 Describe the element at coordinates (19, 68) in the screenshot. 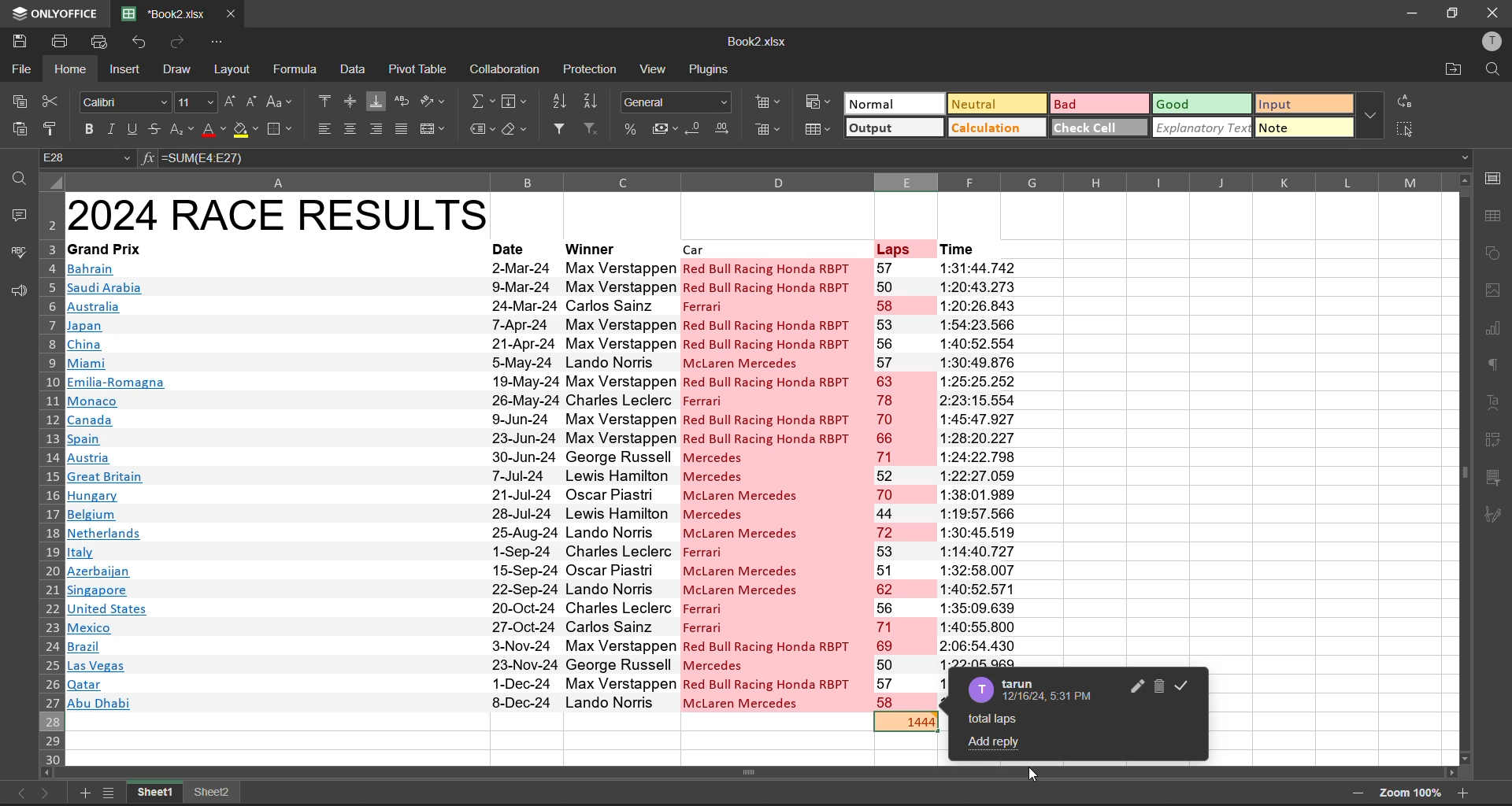

I see `file` at that location.